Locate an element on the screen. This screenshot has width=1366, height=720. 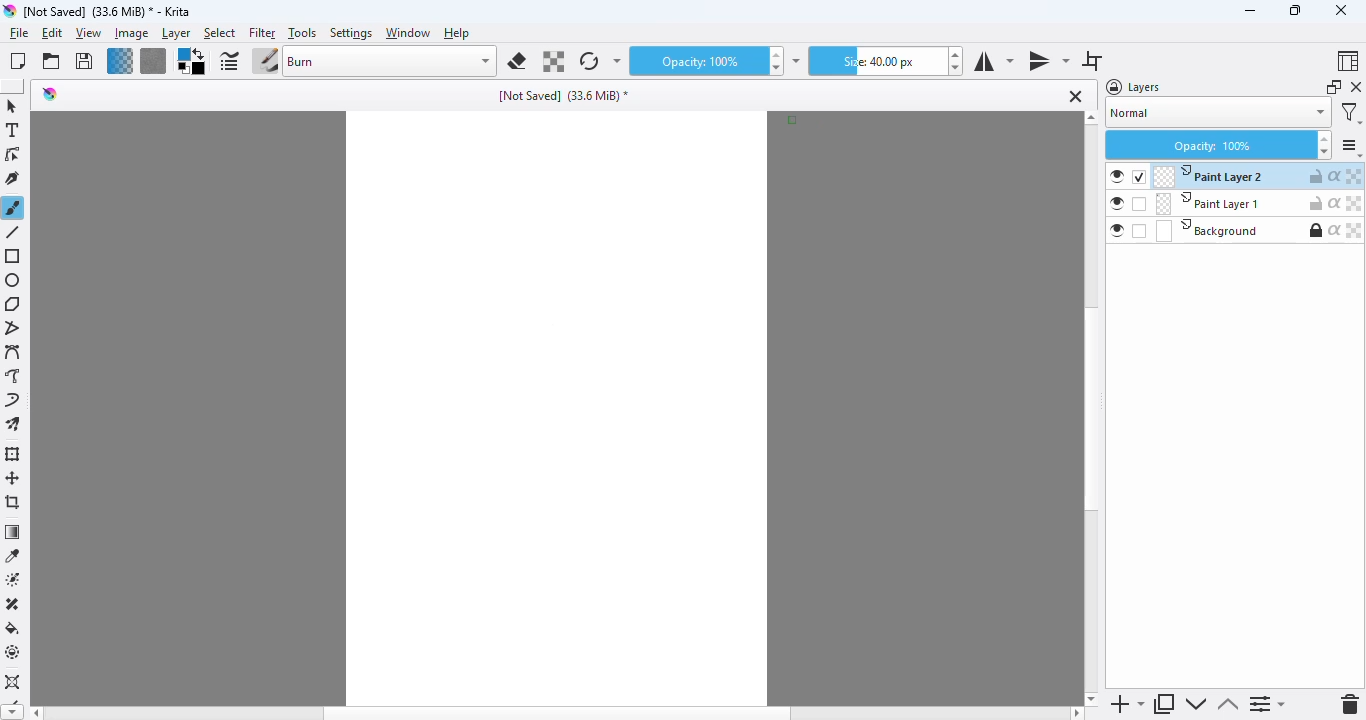
alpha locked: no is located at coordinates (1353, 230).